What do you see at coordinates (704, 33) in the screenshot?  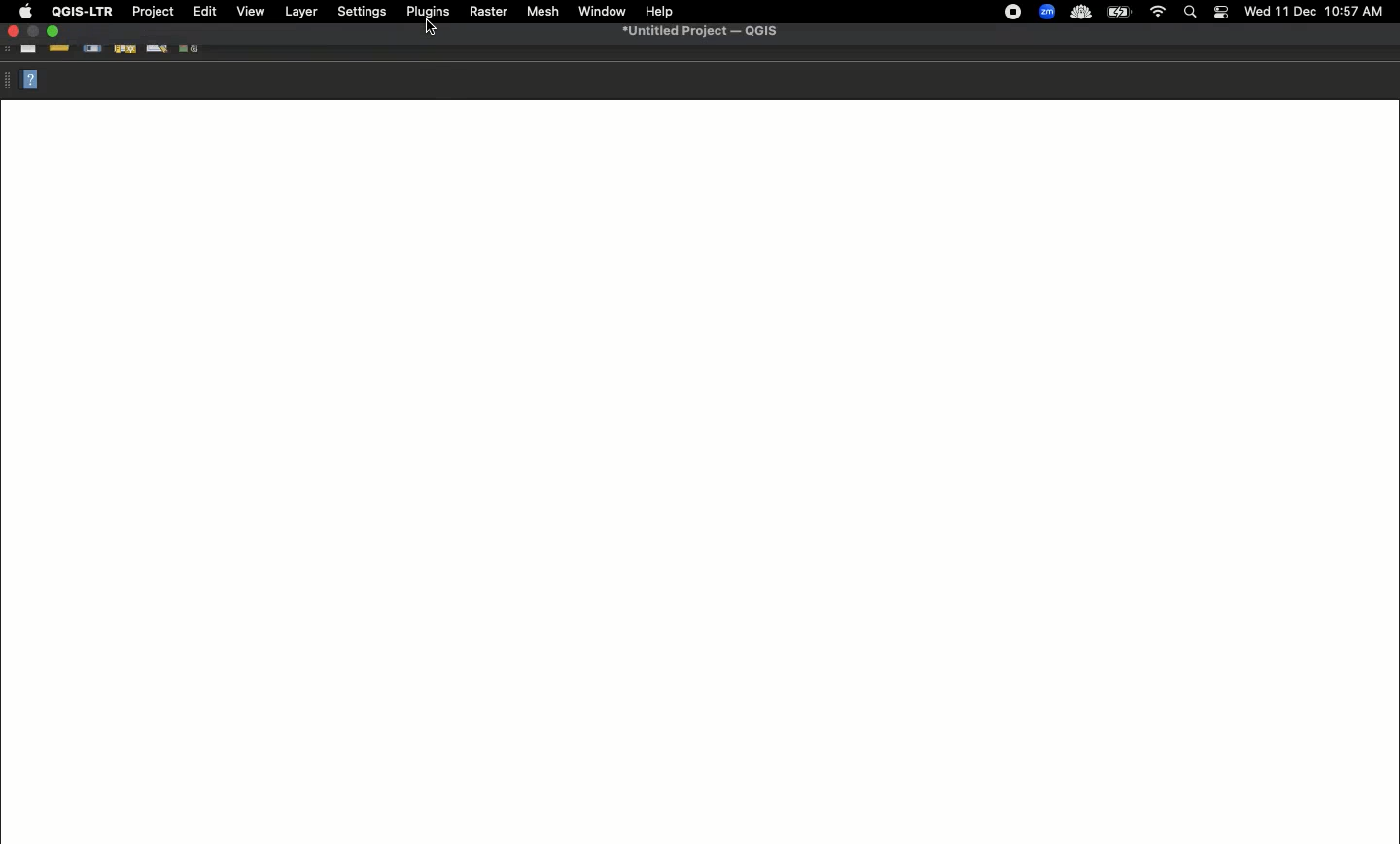 I see `Name` at bounding box center [704, 33].